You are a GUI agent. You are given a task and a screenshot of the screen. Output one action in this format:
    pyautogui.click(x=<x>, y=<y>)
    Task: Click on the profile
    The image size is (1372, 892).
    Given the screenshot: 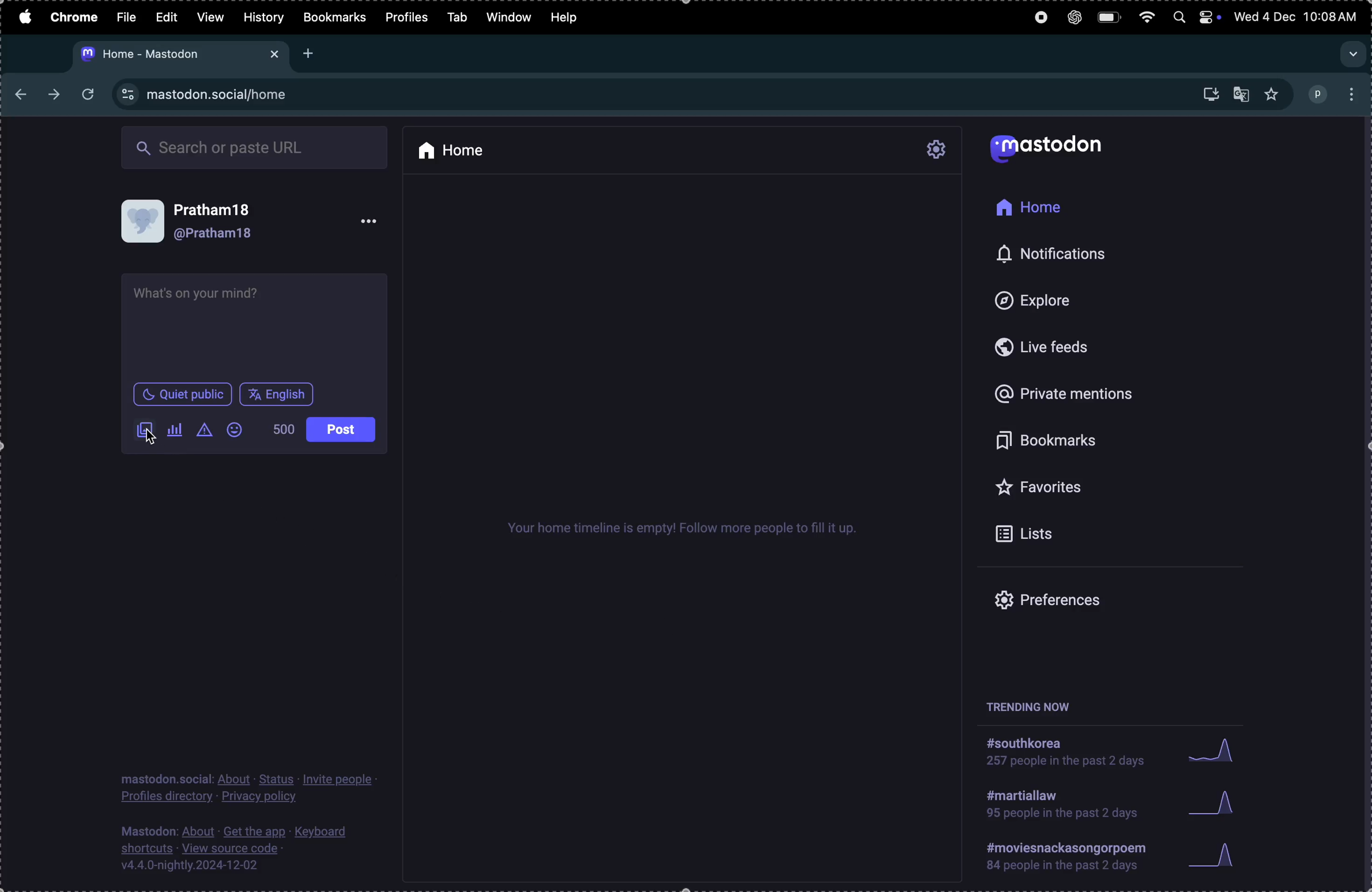 What is the action you would take?
    pyautogui.click(x=1335, y=92)
    